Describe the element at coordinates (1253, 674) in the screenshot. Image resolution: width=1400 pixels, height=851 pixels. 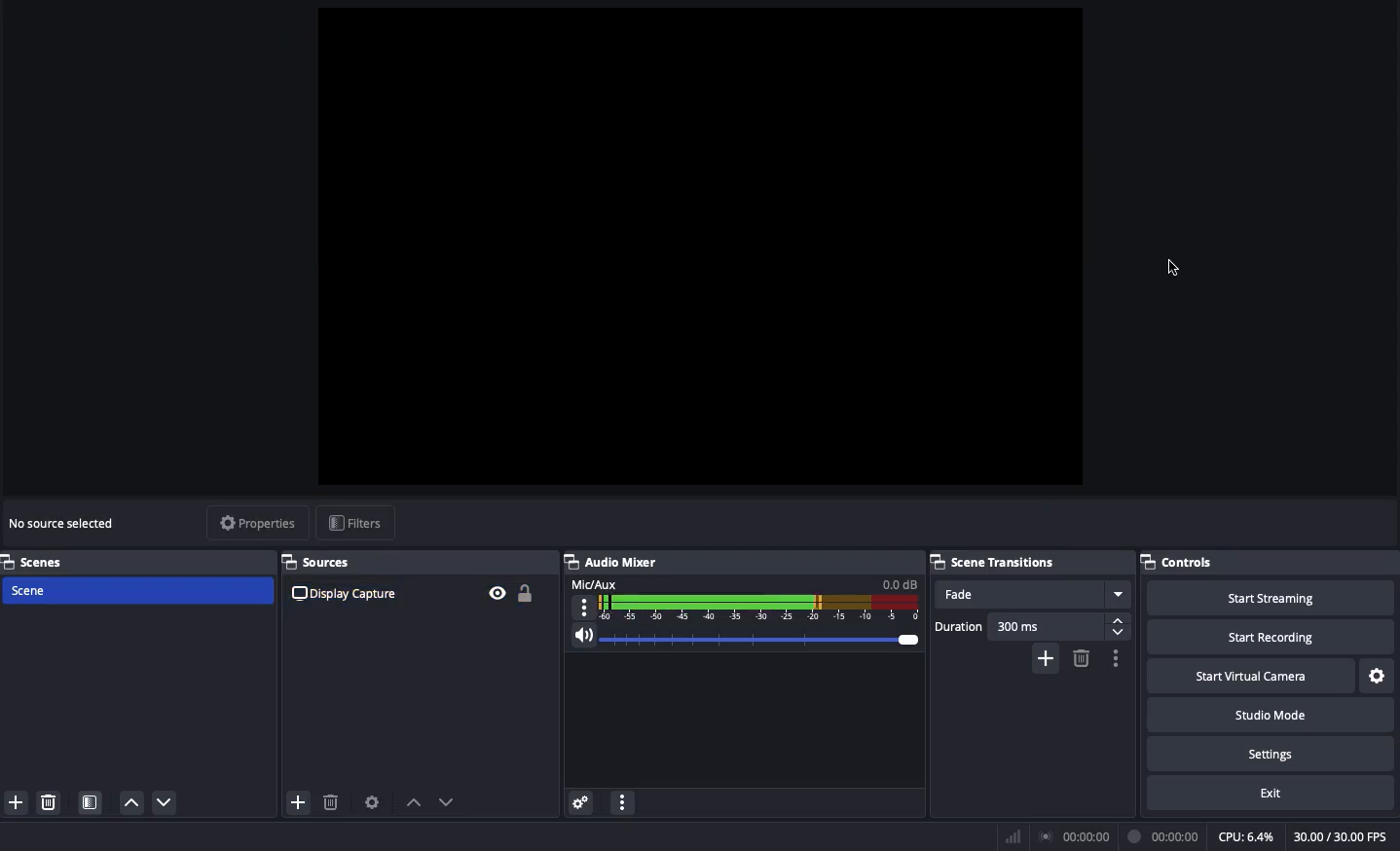
I see `Start virtual camera` at that location.